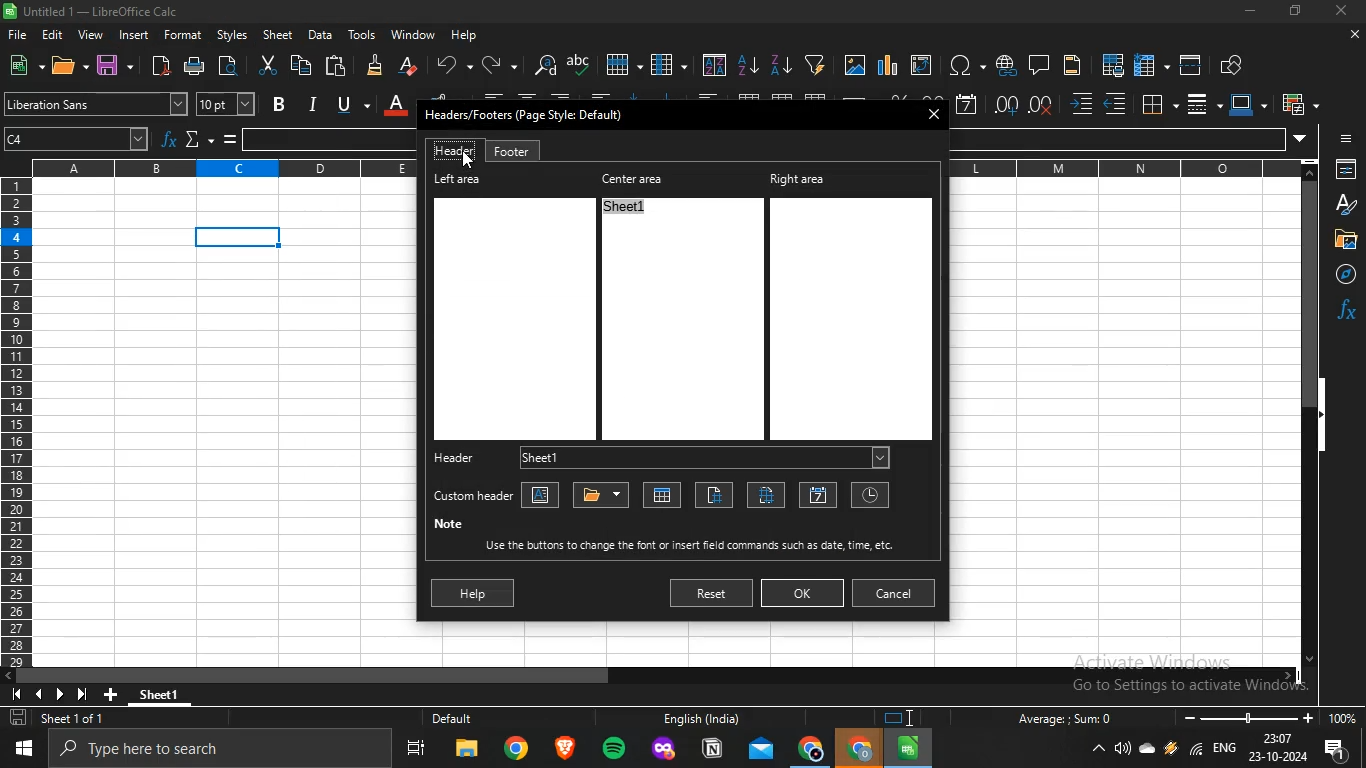 The image size is (1366, 768). Describe the element at coordinates (579, 64) in the screenshot. I see `spelling` at that location.